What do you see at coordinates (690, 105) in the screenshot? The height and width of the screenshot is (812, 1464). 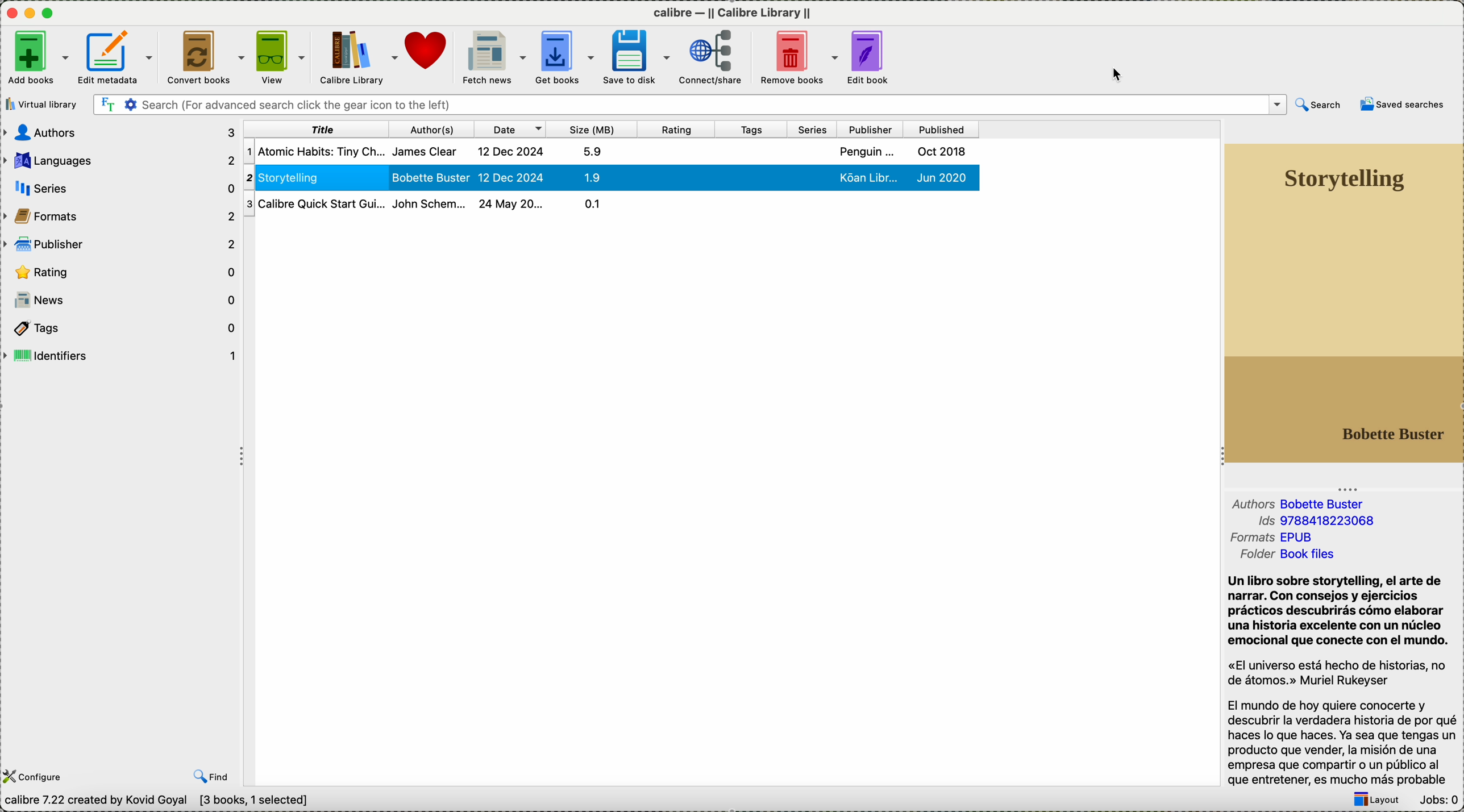 I see `search bar` at bounding box center [690, 105].